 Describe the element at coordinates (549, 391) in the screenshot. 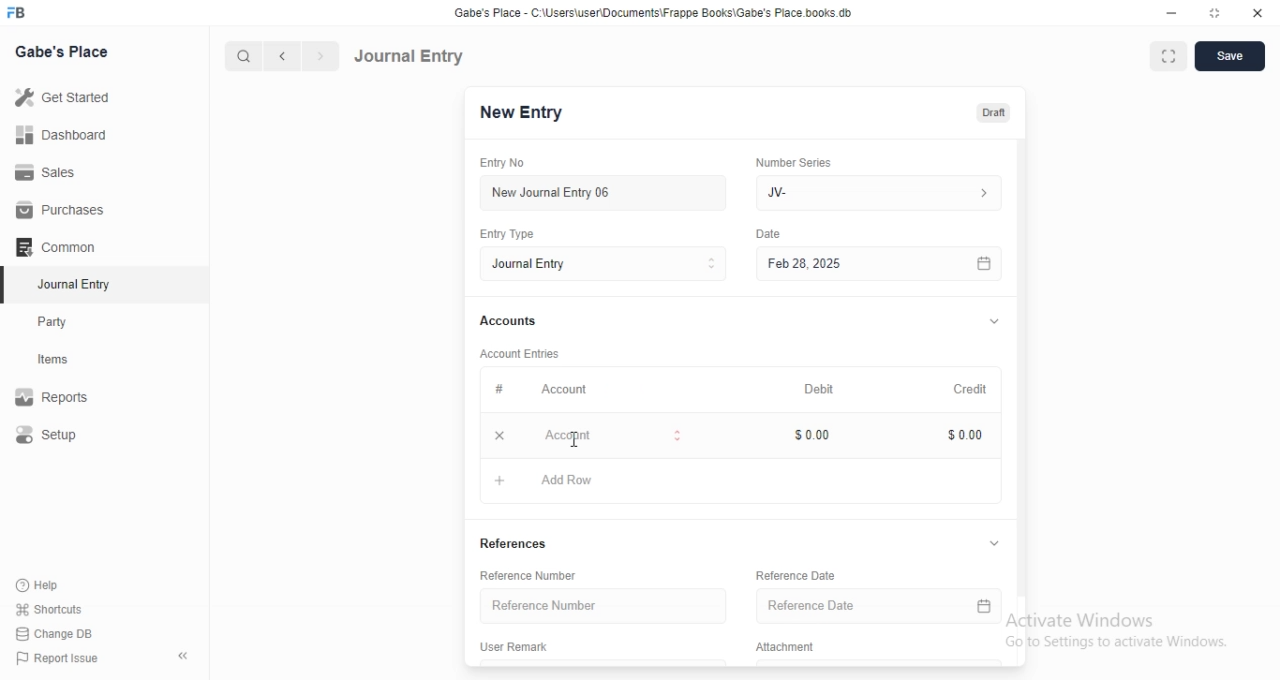

I see `Account` at that location.